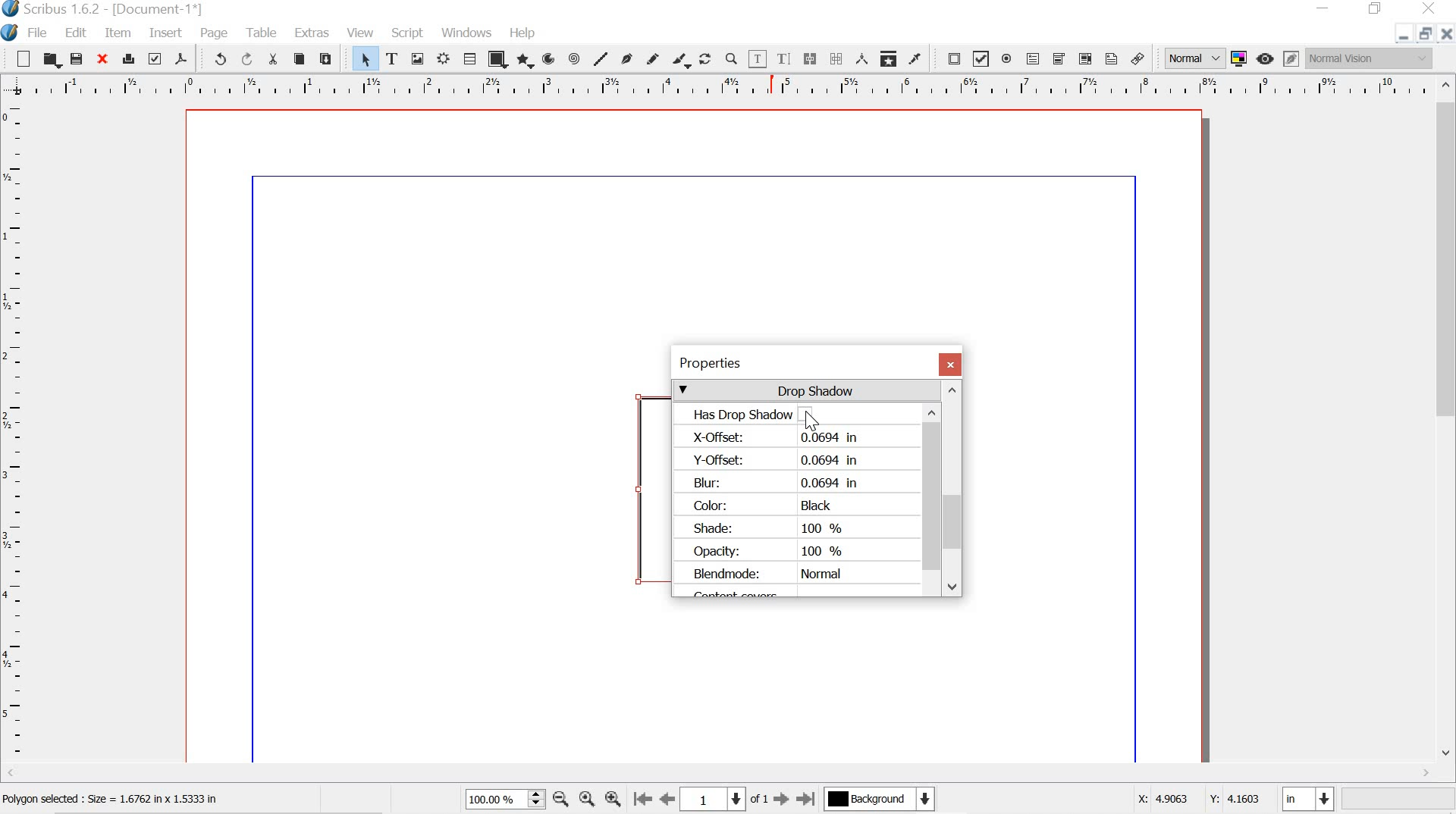 This screenshot has height=814, width=1456. Describe the element at coordinates (1238, 58) in the screenshot. I see `toggle color management system` at that location.